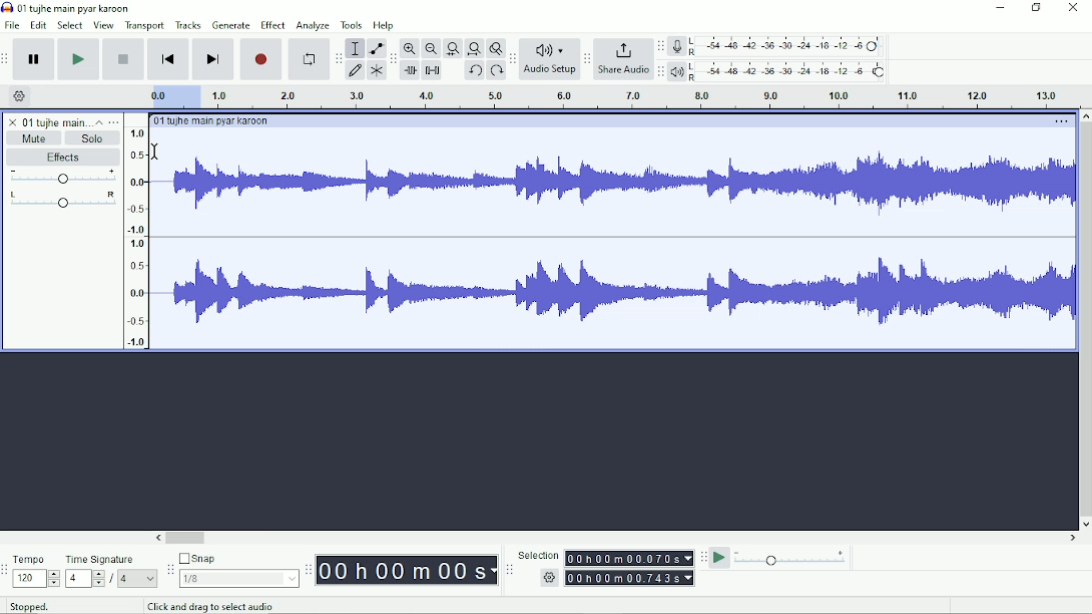 The image size is (1092, 614). I want to click on Skip to start, so click(168, 60).